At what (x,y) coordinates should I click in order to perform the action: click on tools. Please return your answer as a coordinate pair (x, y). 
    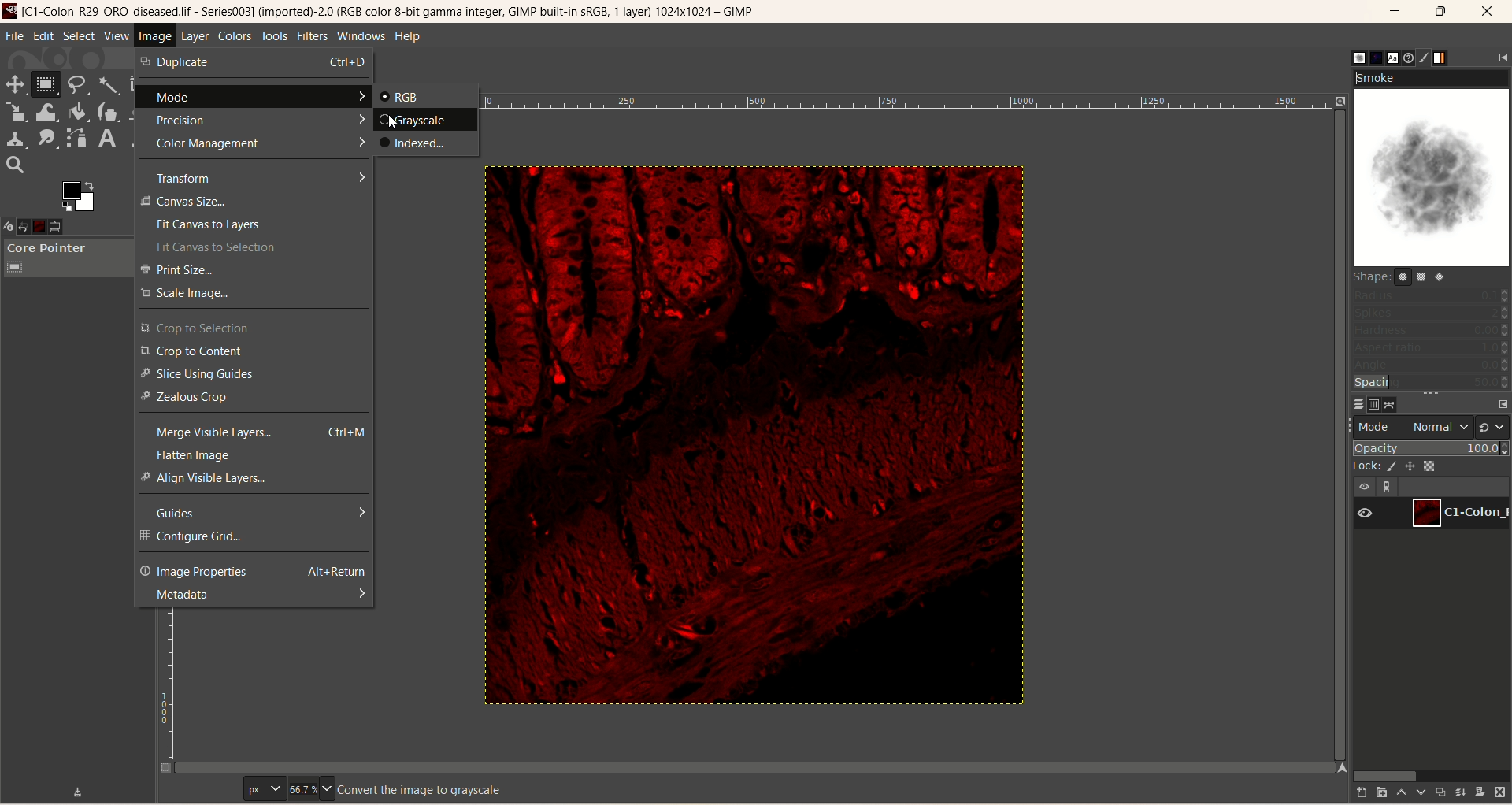
    Looking at the image, I should click on (275, 36).